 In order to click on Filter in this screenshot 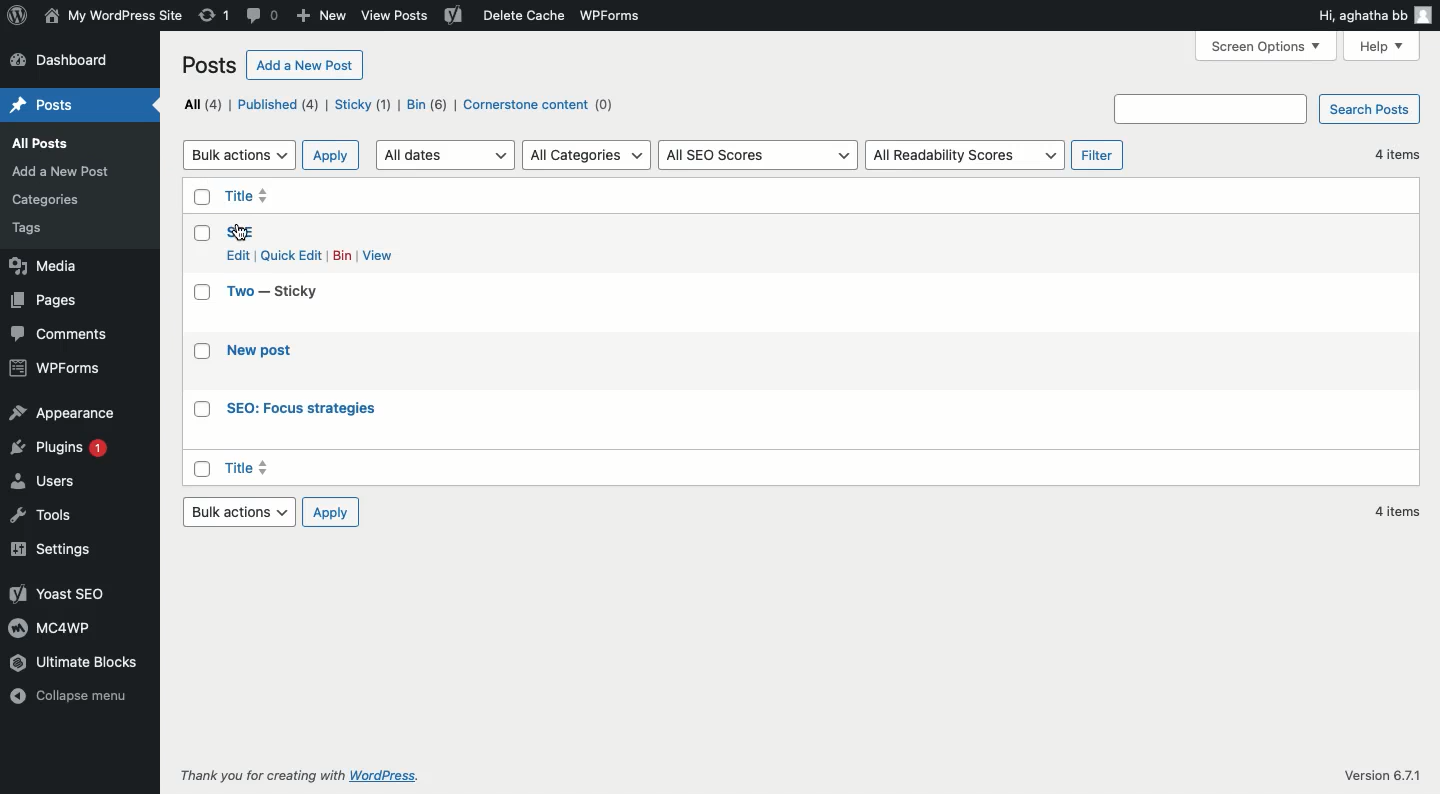, I will do `click(1099, 157)`.